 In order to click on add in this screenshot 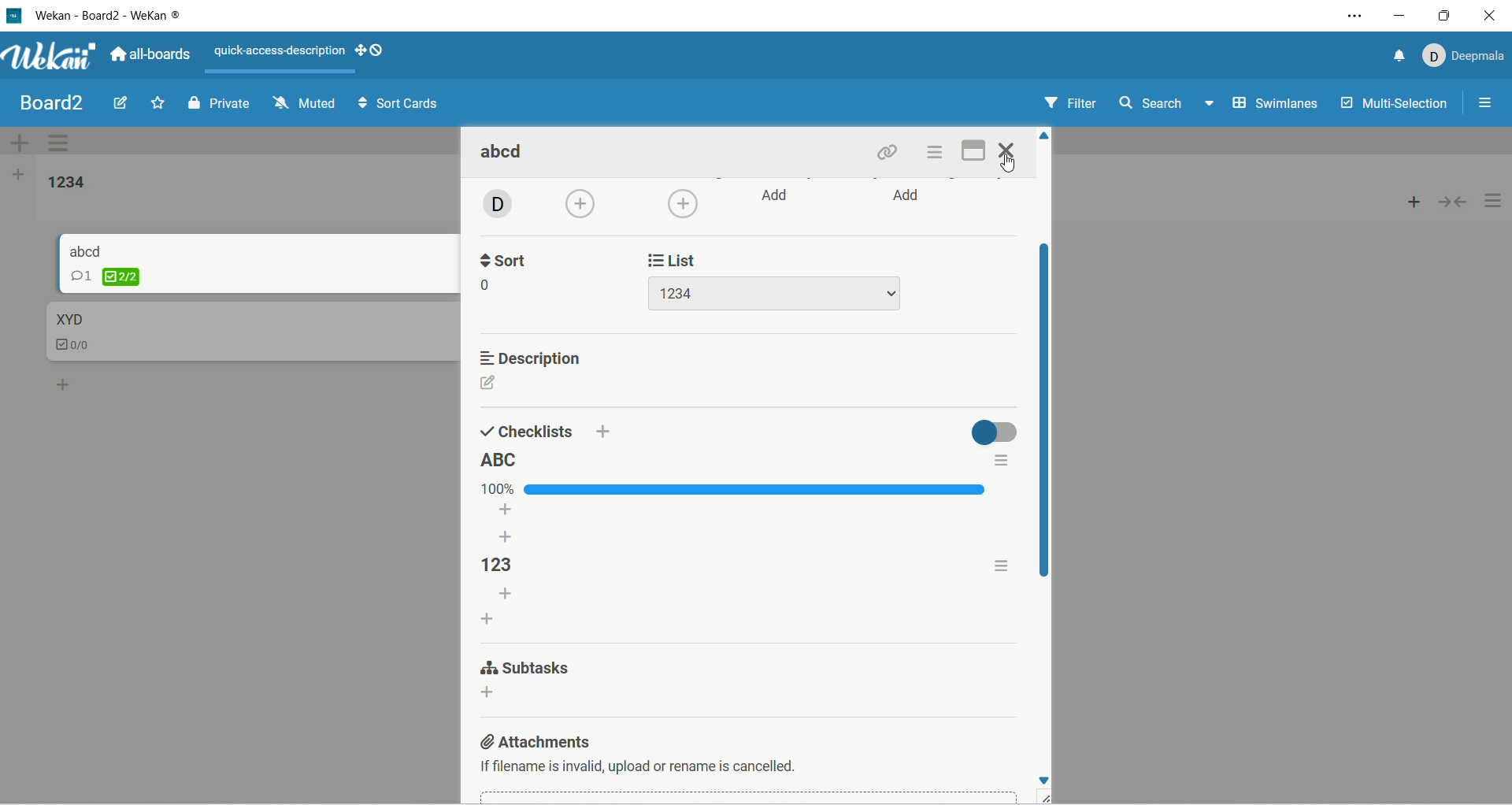, I will do `click(909, 197)`.